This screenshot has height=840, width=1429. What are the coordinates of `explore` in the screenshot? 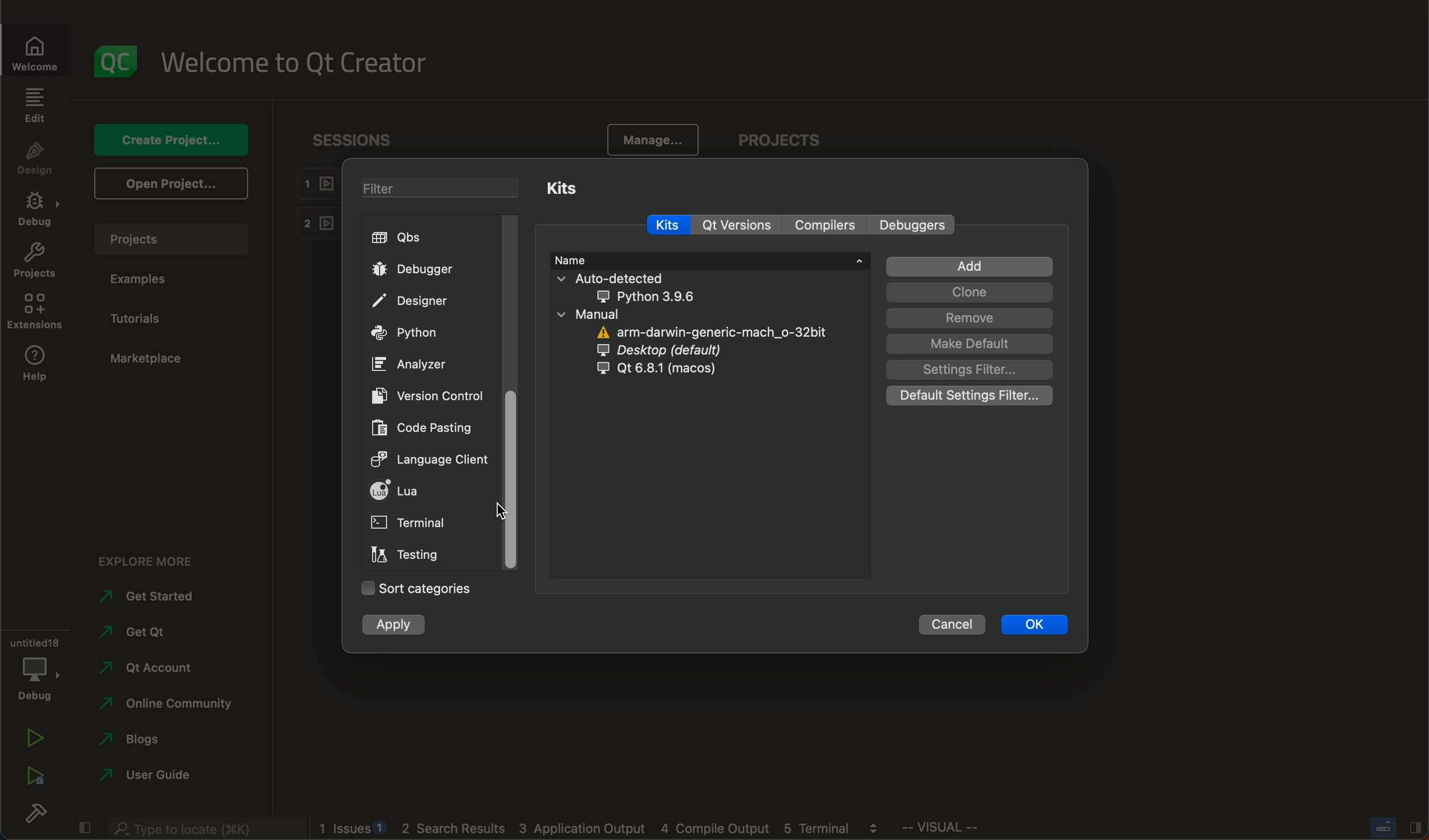 It's located at (146, 557).